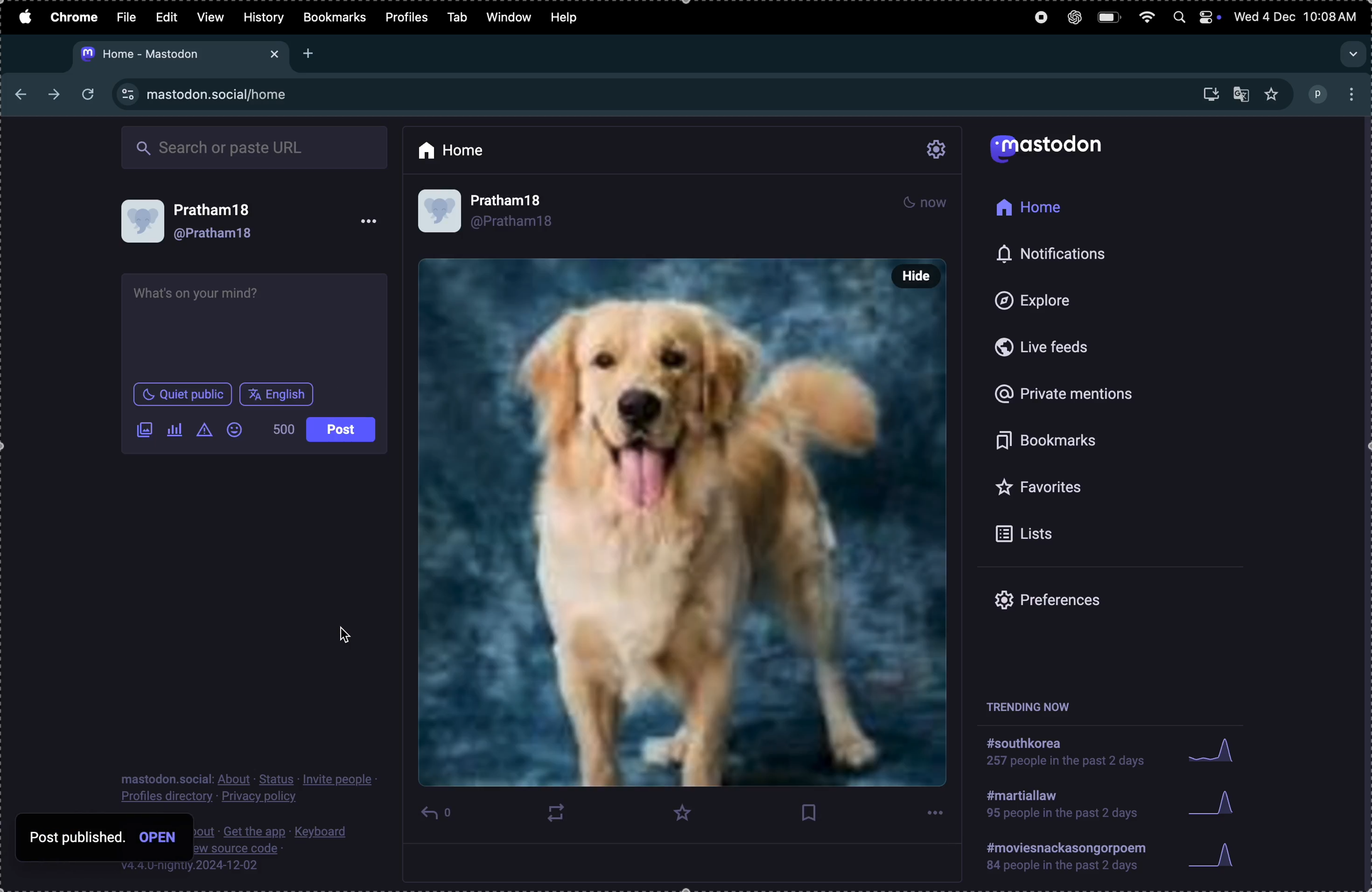  What do you see at coordinates (442, 815) in the screenshot?
I see `reply` at bounding box center [442, 815].